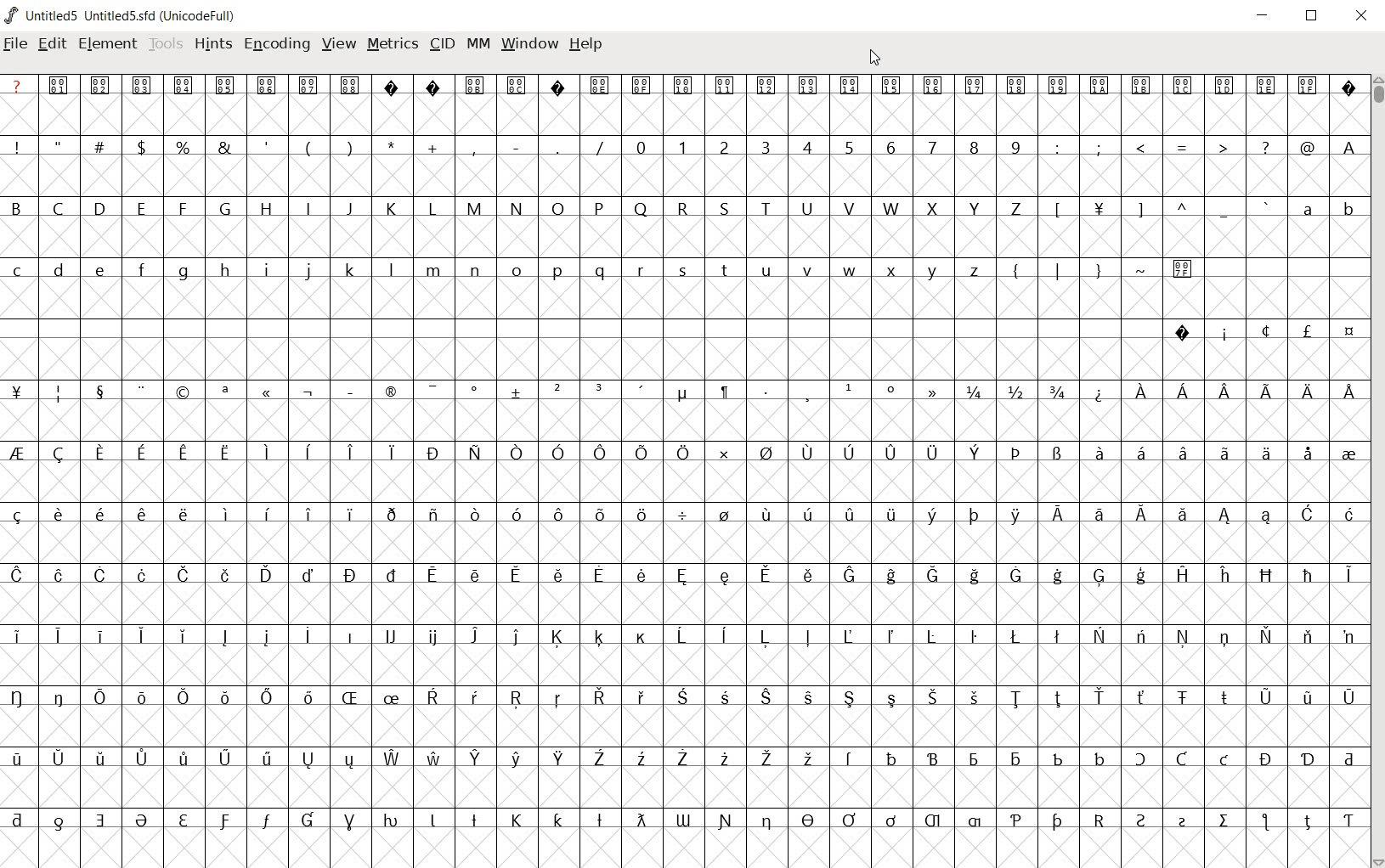  I want to click on u, so click(766, 270).